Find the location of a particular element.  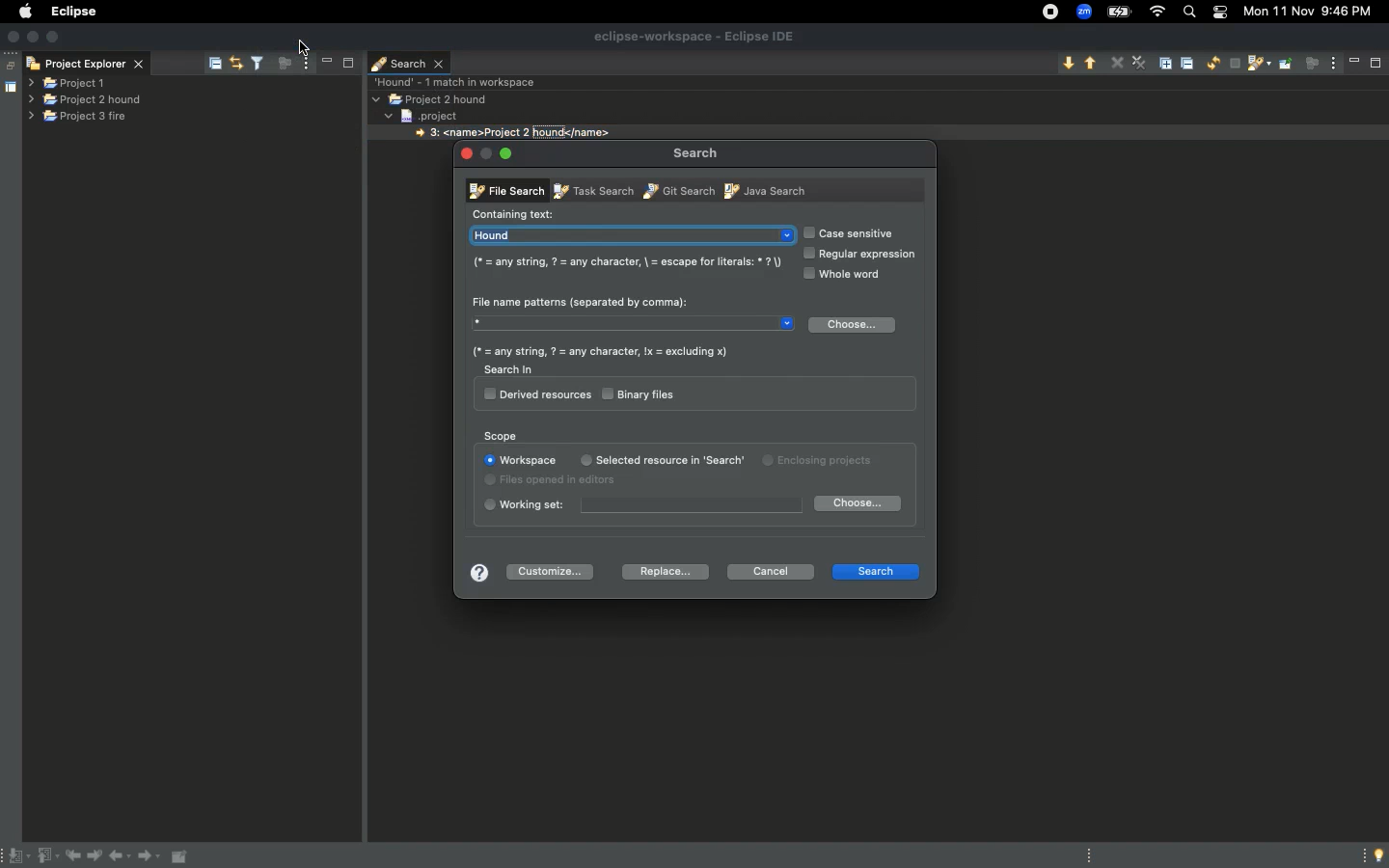

collapse all is located at coordinates (214, 61).